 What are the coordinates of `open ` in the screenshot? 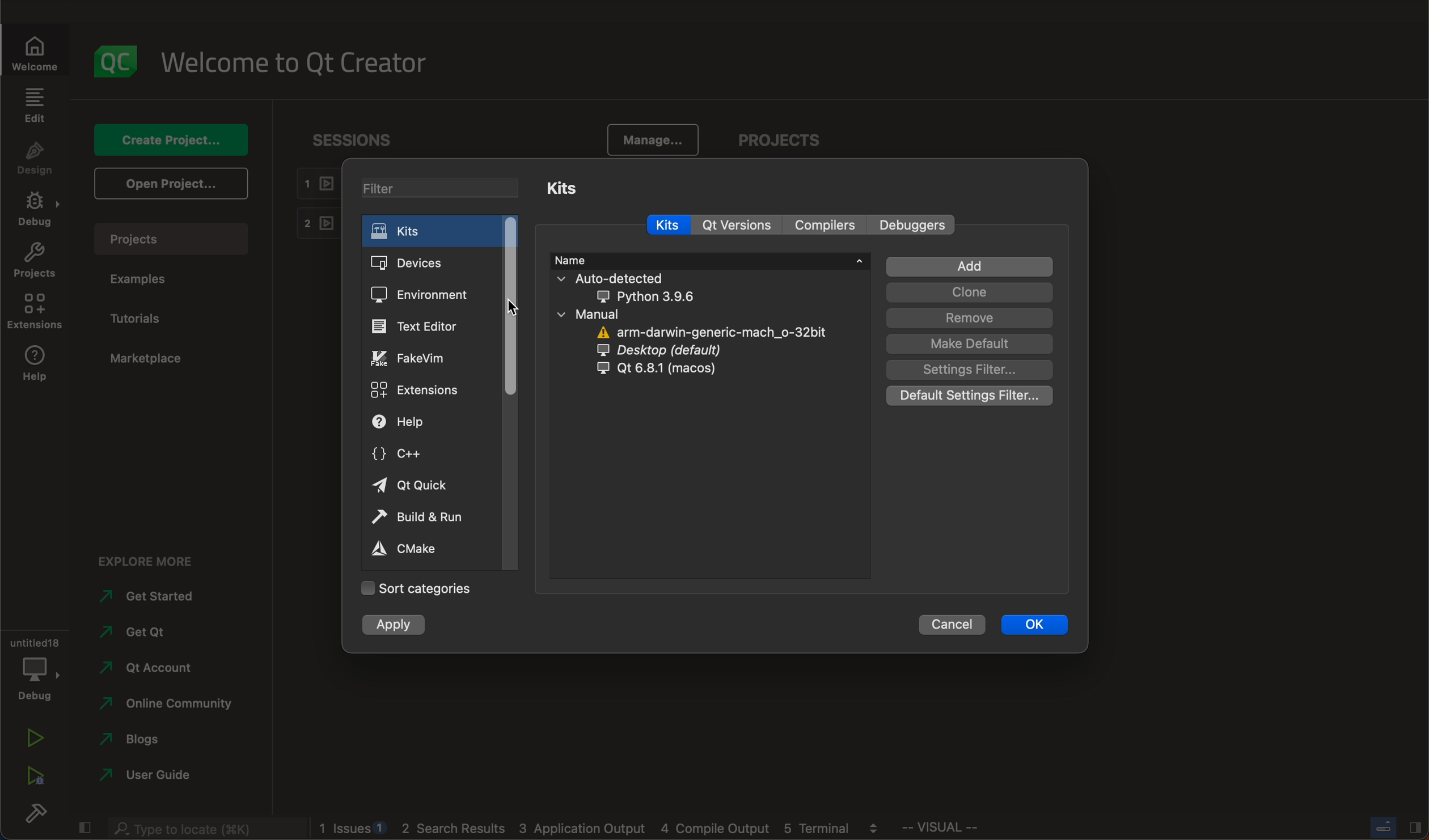 It's located at (168, 184).